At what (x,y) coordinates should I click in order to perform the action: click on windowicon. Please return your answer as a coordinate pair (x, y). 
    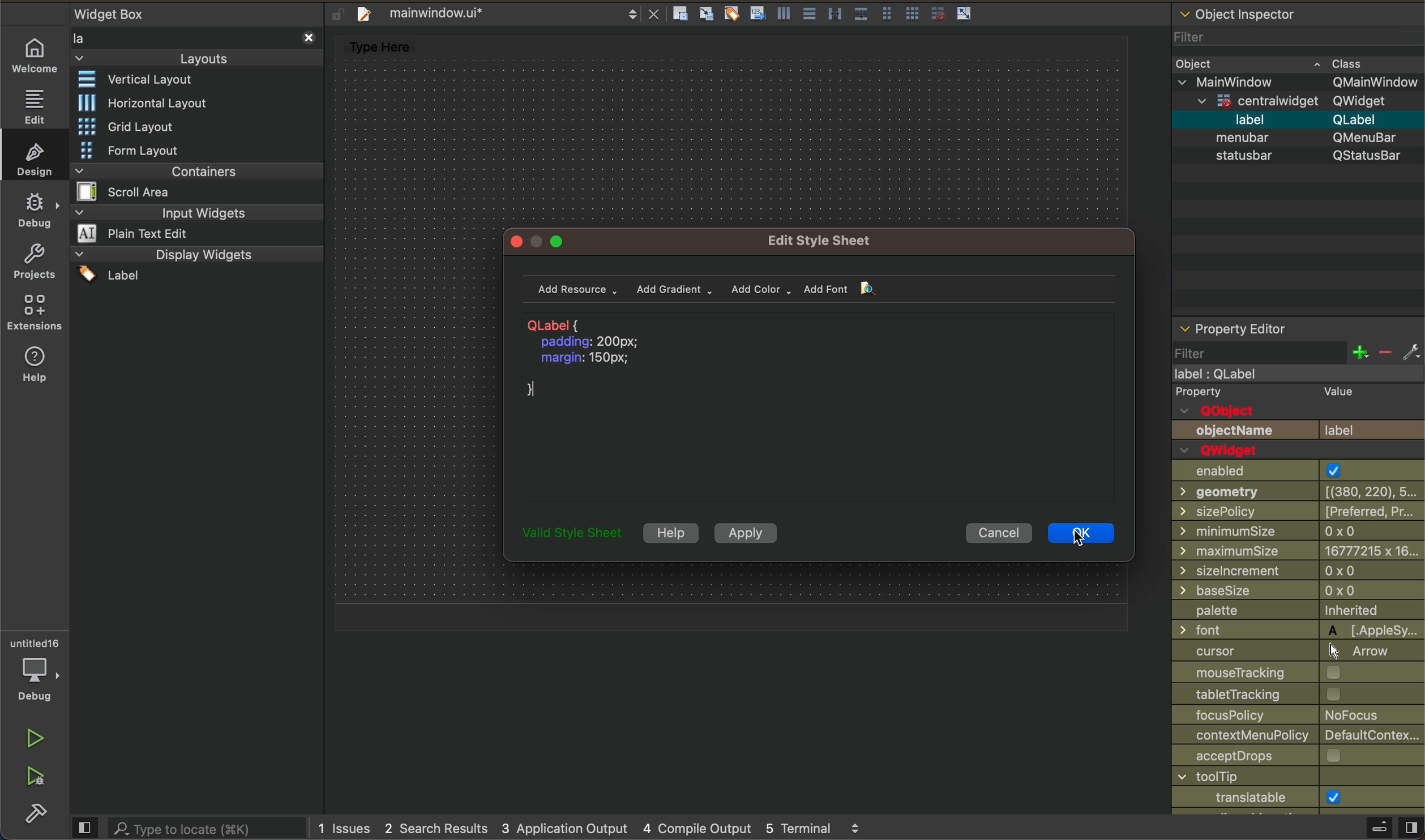
    Looking at the image, I should click on (1234, 798).